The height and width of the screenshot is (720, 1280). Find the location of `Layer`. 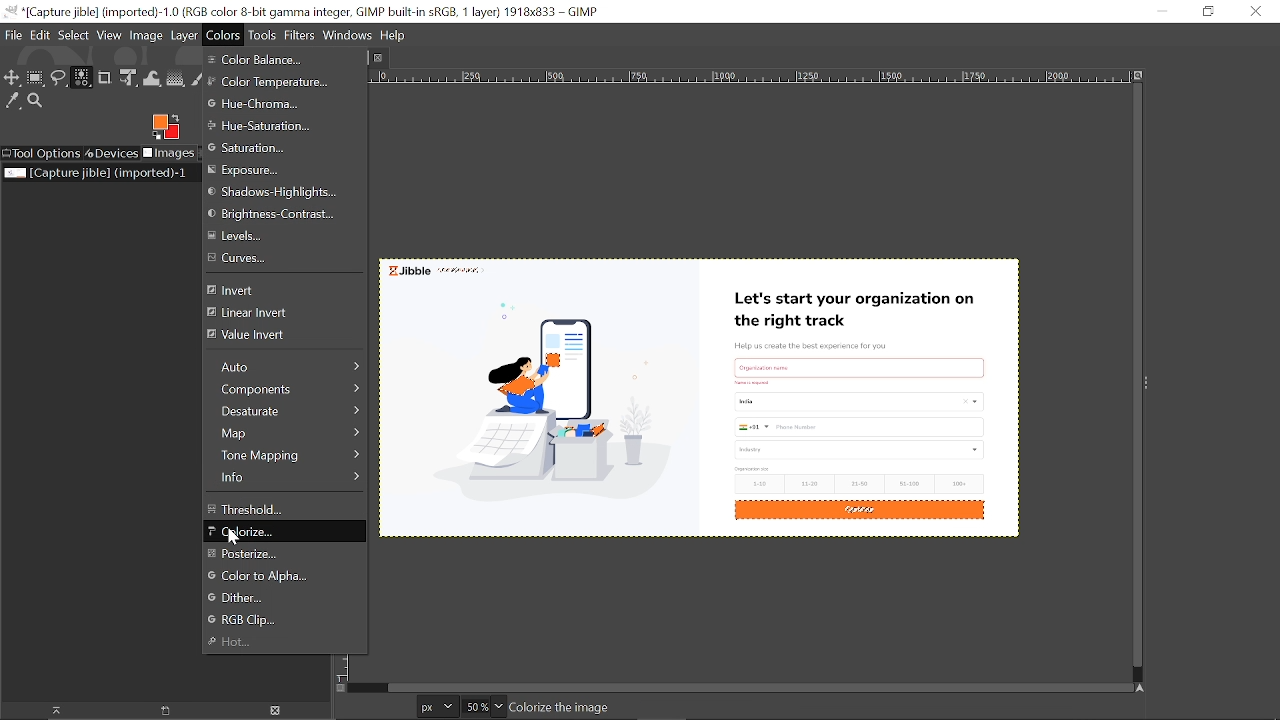

Layer is located at coordinates (184, 35).